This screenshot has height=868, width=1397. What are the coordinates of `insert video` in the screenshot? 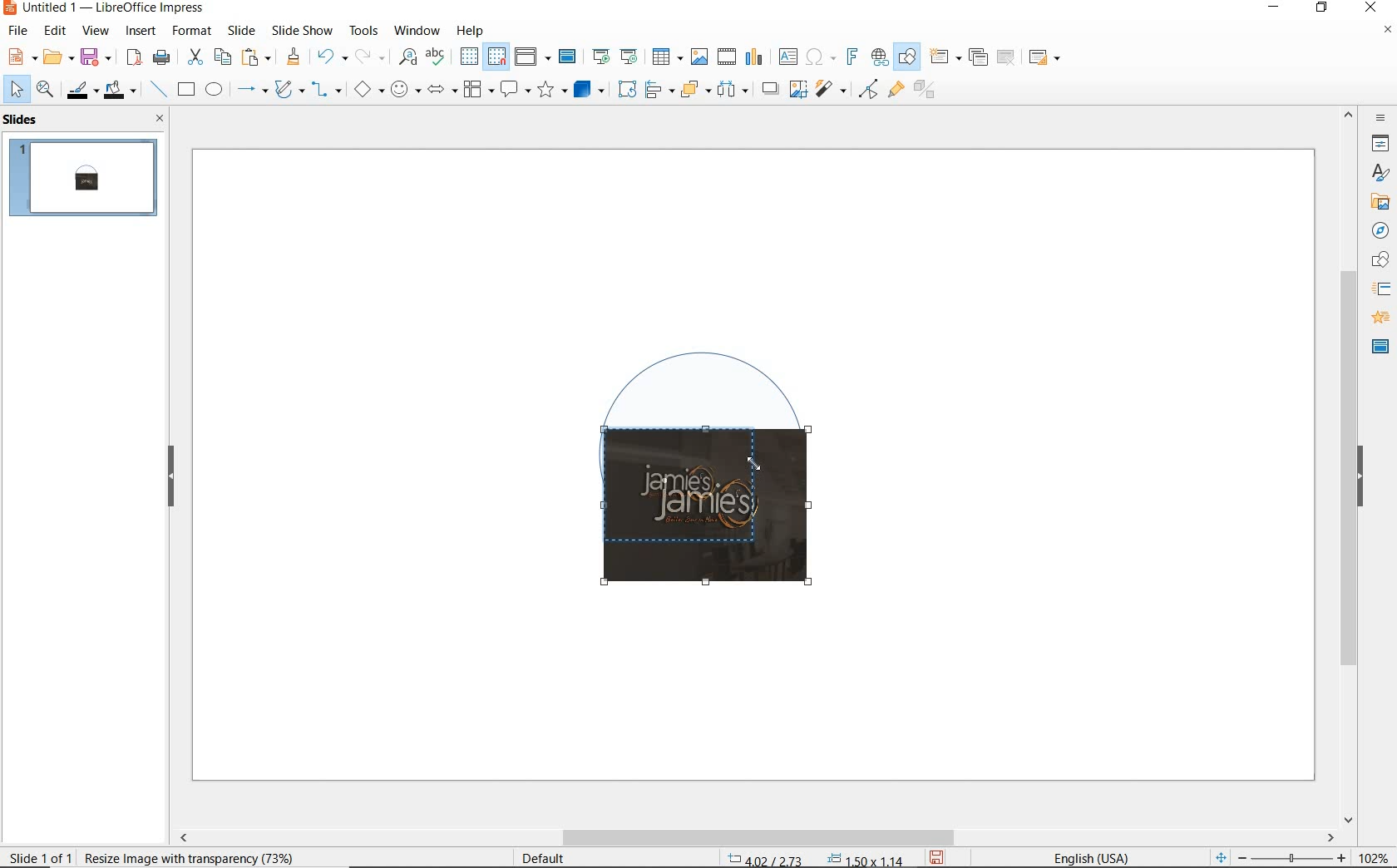 It's located at (725, 56).